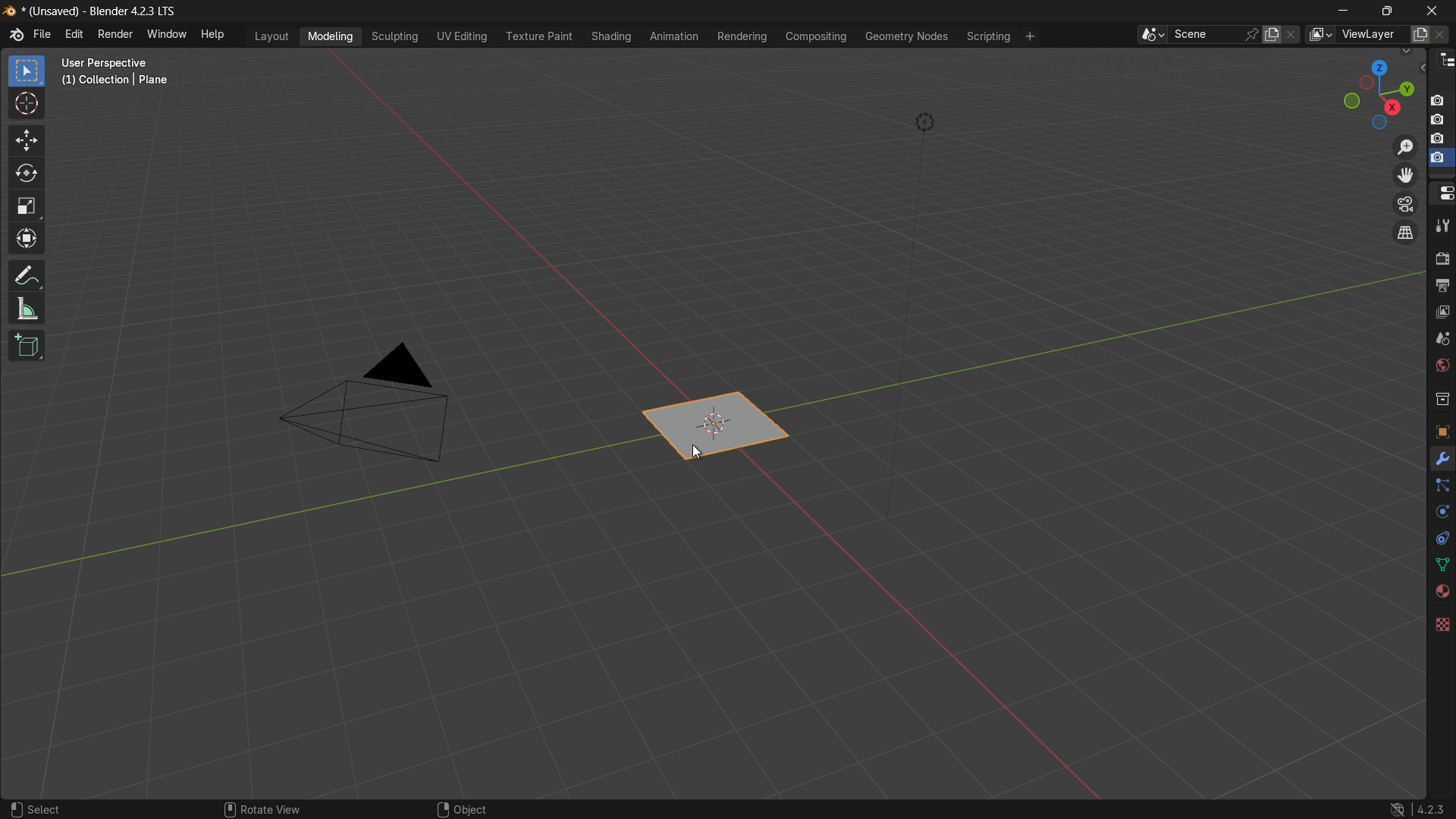 The height and width of the screenshot is (819, 1456). Describe the element at coordinates (1441, 623) in the screenshot. I see `texture` at that location.